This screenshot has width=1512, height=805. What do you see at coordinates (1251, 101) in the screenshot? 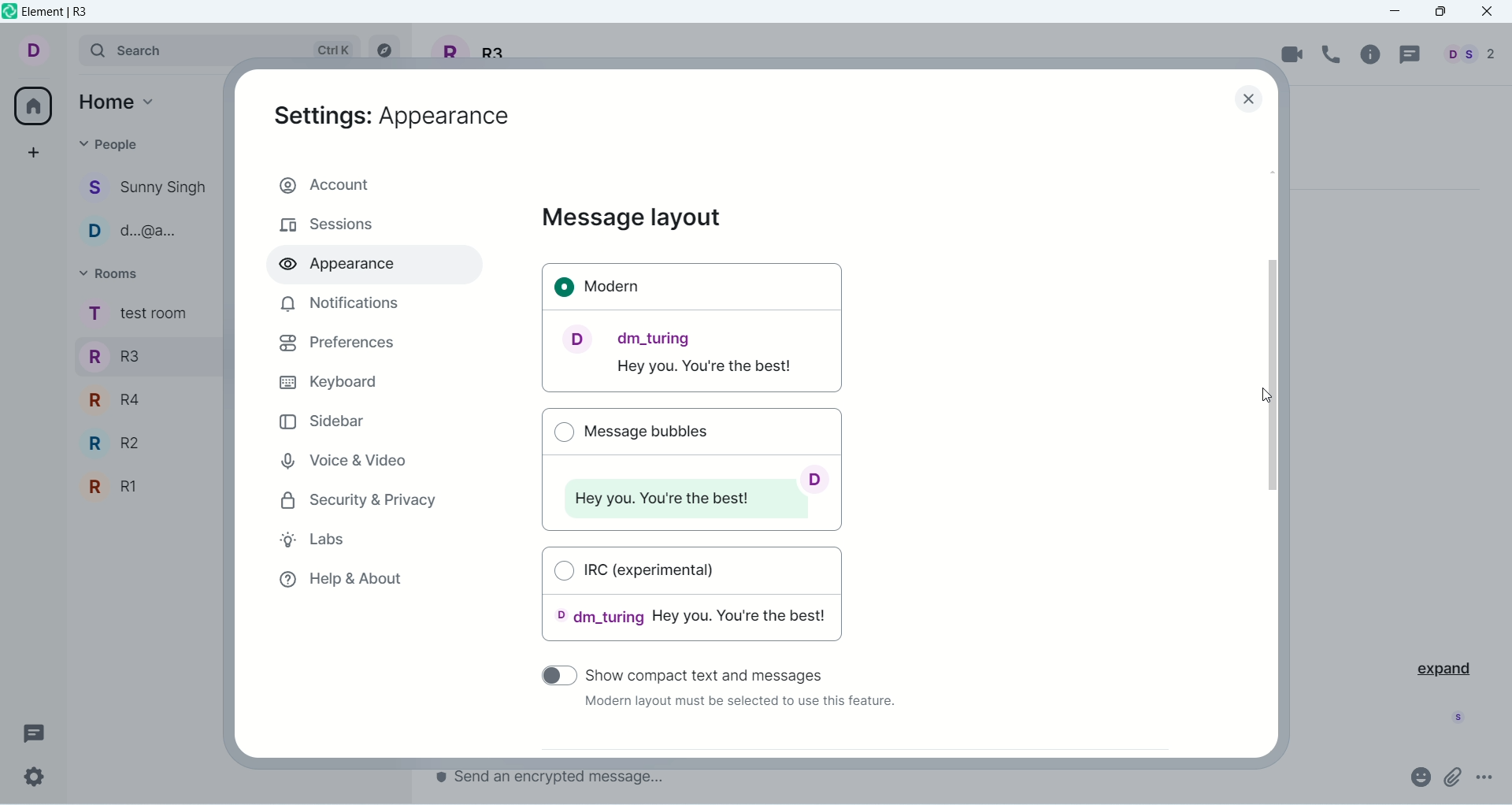
I see `Close` at bounding box center [1251, 101].